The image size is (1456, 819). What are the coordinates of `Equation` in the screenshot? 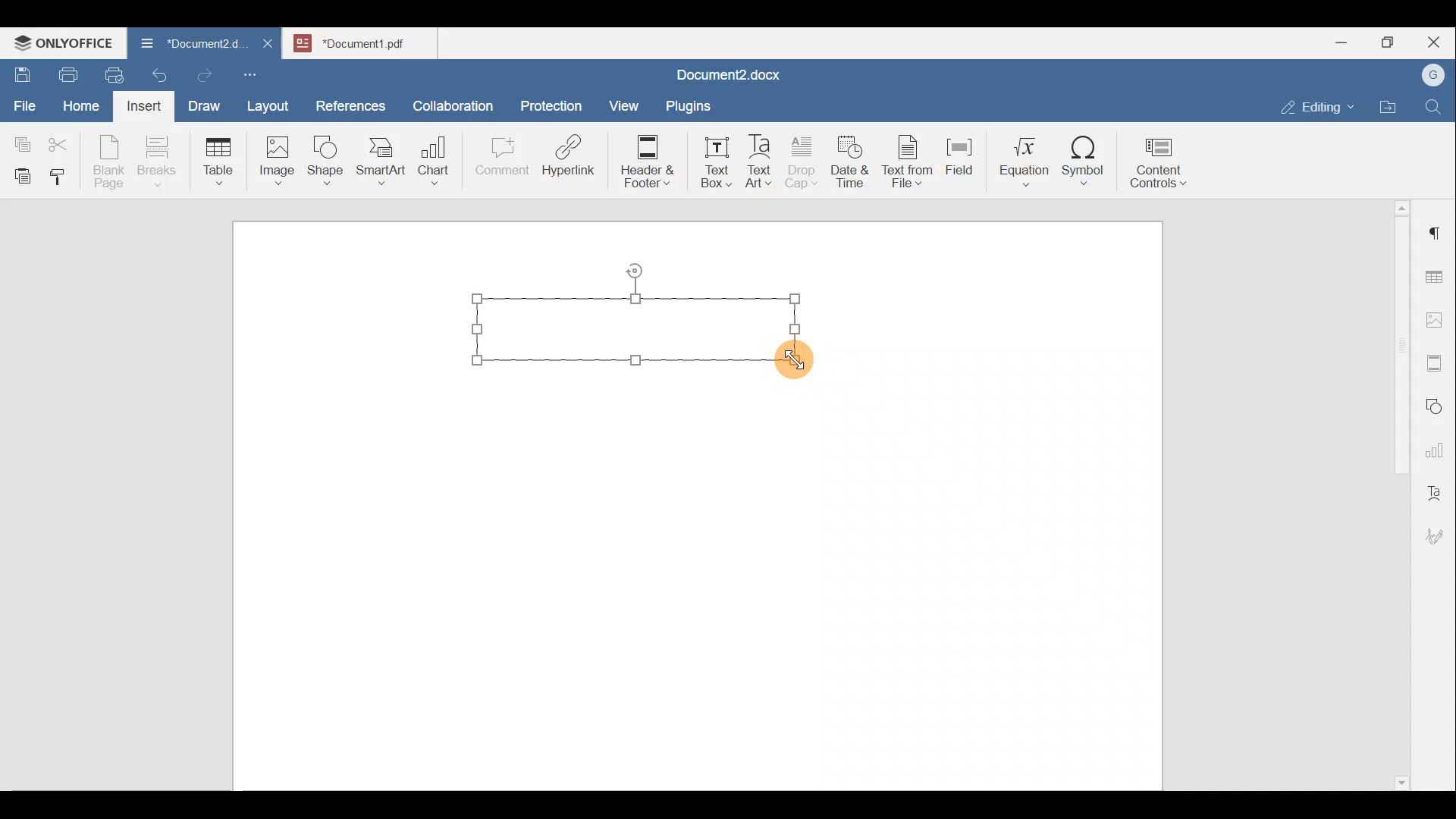 It's located at (1028, 161).